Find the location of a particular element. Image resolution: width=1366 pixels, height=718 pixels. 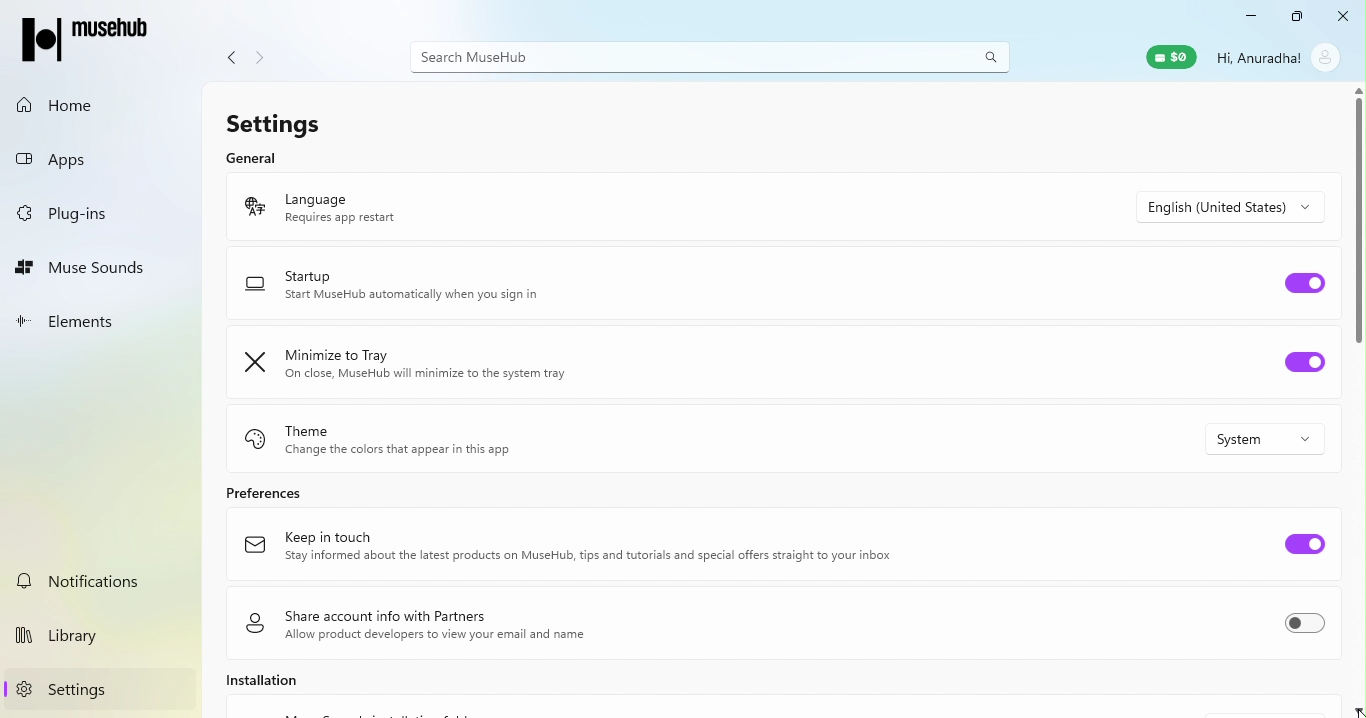

Toggle is located at coordinates (1309, 542).